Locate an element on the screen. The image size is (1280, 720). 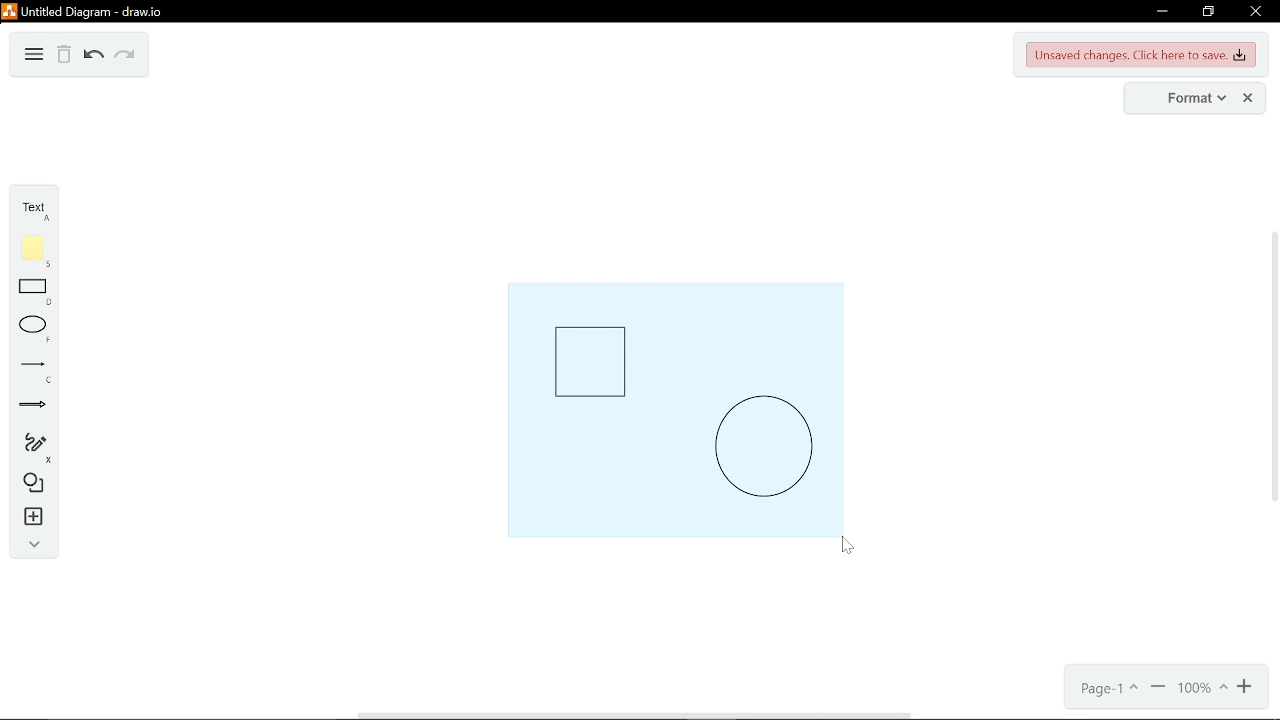
collapse is located at coordinates (31, 548).